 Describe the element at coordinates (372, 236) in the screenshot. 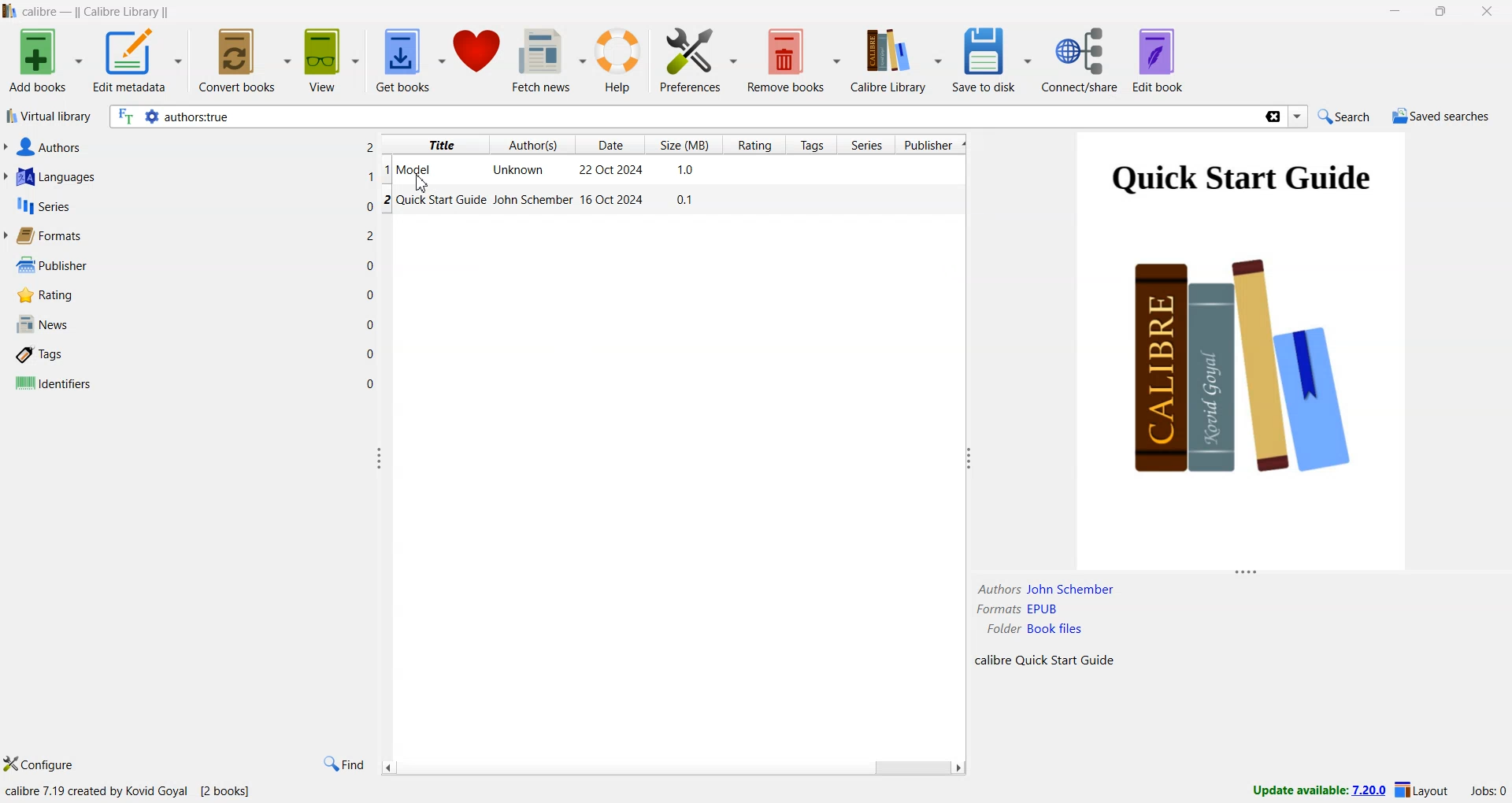

I see `` at that location.